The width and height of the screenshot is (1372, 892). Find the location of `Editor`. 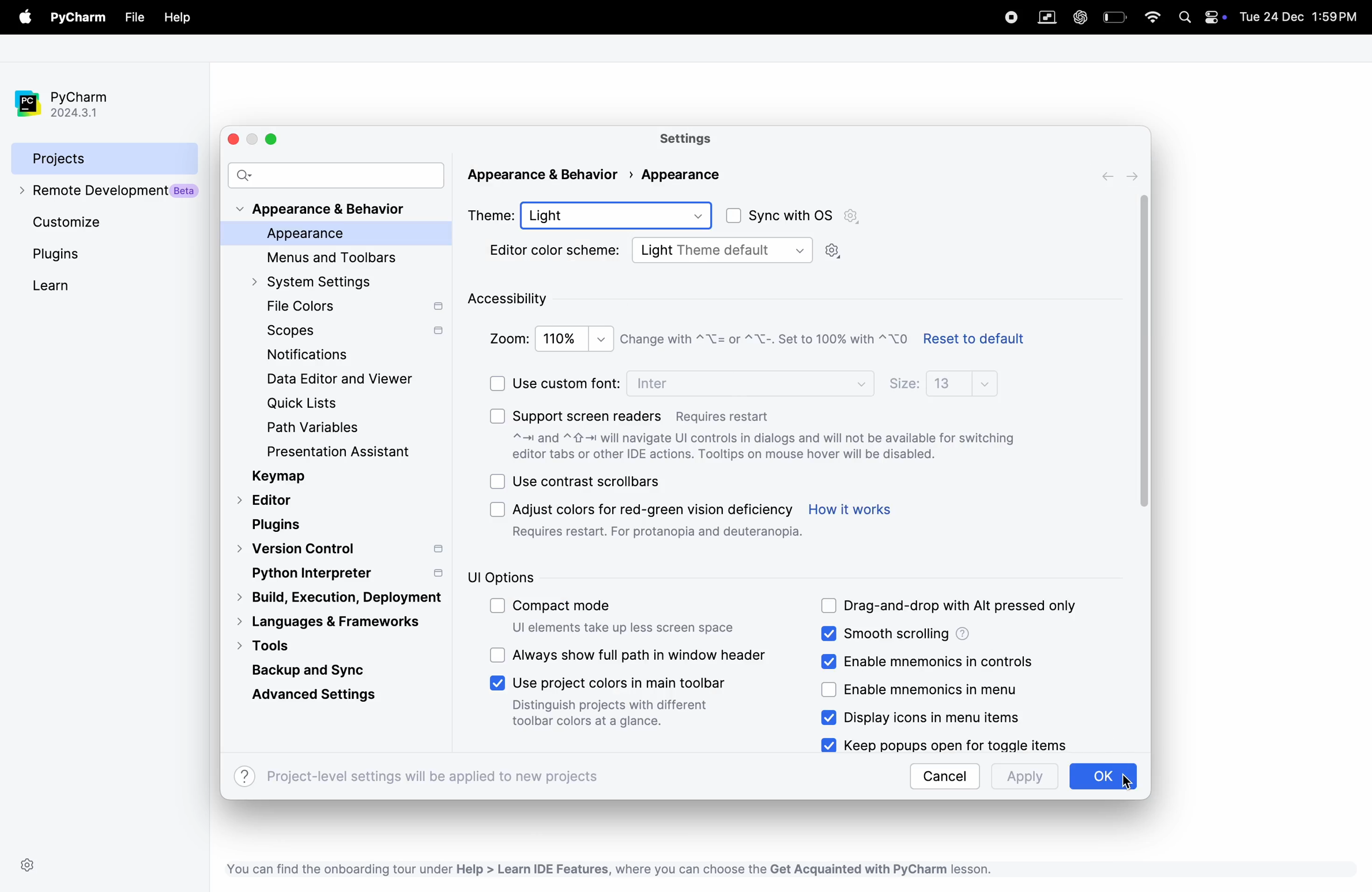

Editor is located at coordinates (270, 500).